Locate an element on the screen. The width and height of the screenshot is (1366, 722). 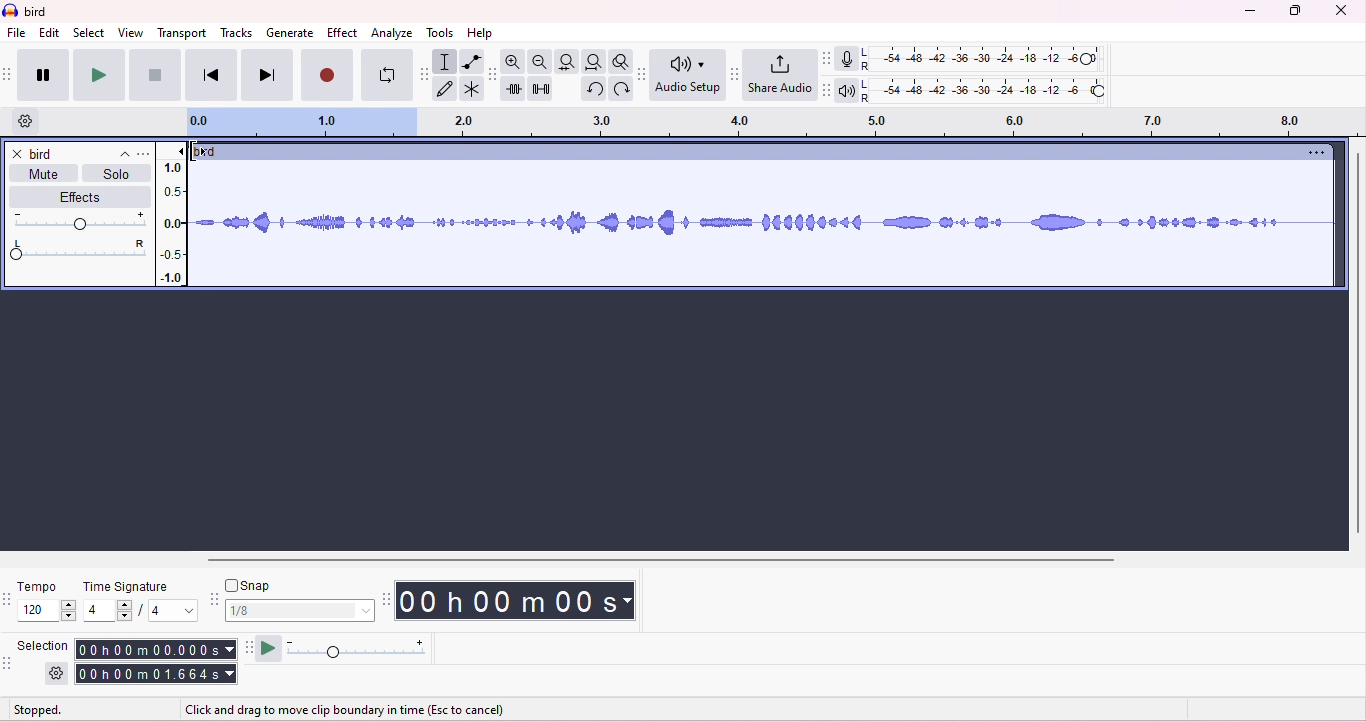
solo is located at coordinates (116, 177).